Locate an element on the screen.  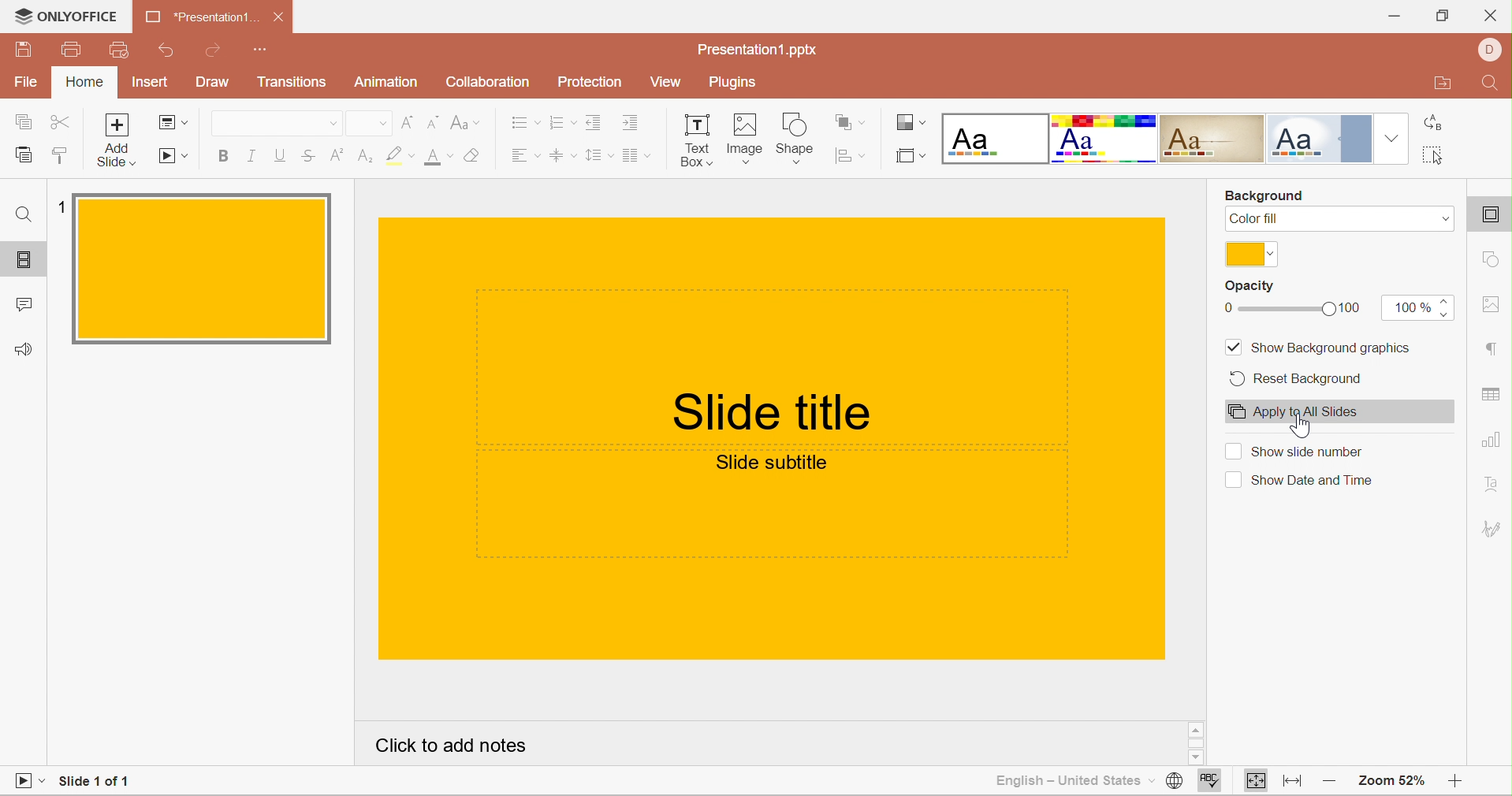
Undo is located at coordinates (169, 52).